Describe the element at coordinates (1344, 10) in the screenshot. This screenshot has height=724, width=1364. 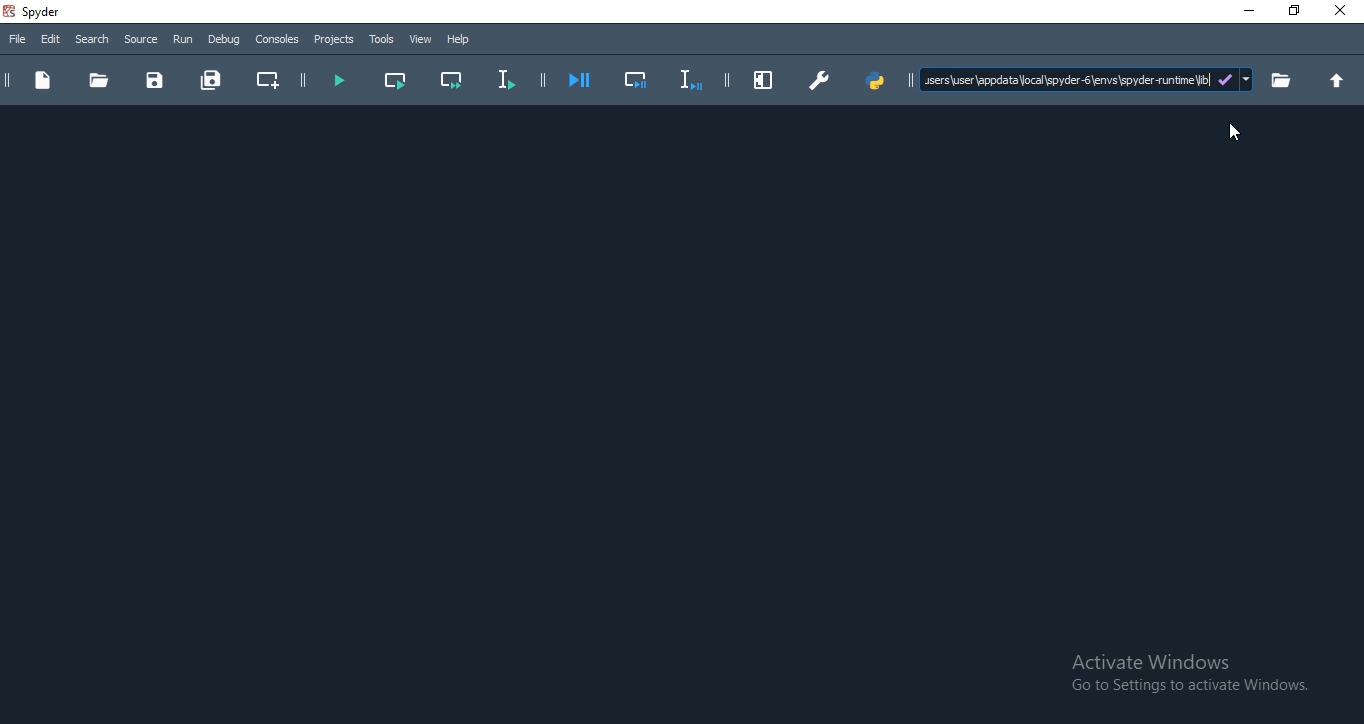
I see `Close` at that location.